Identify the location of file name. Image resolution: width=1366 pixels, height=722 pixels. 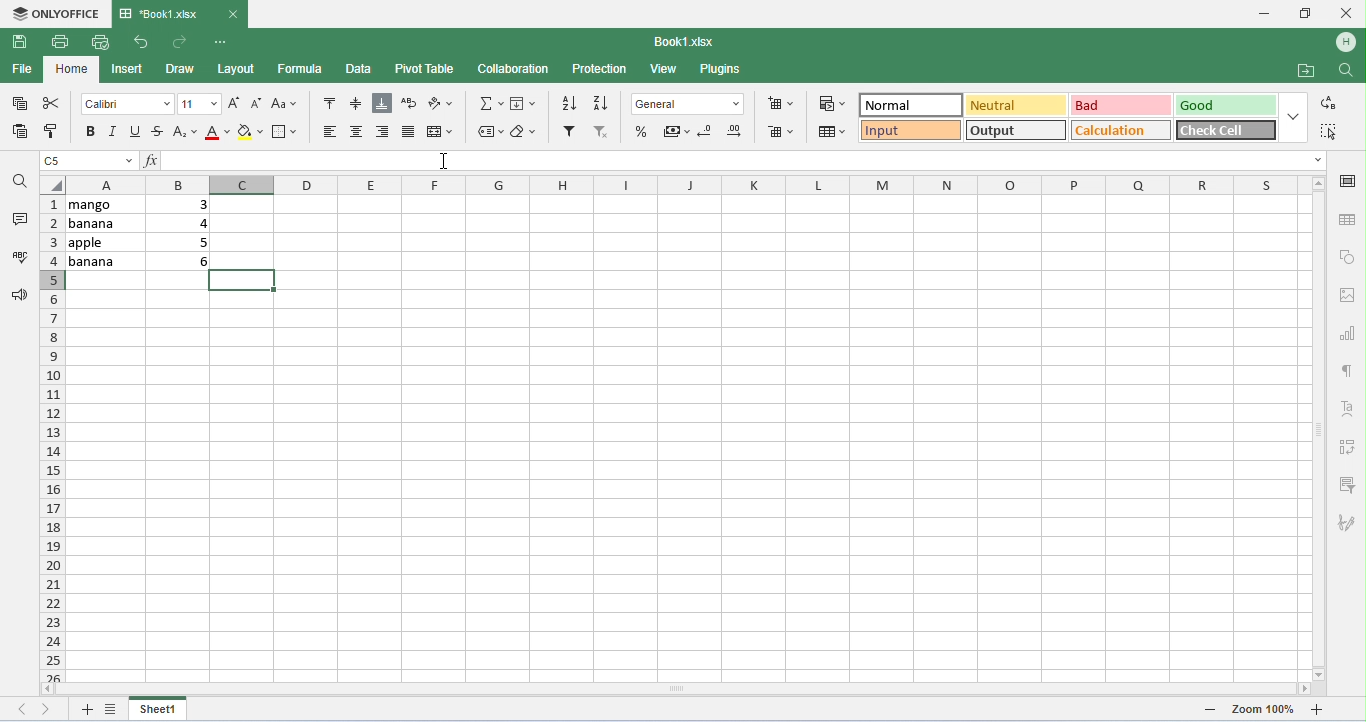
(686, 42).